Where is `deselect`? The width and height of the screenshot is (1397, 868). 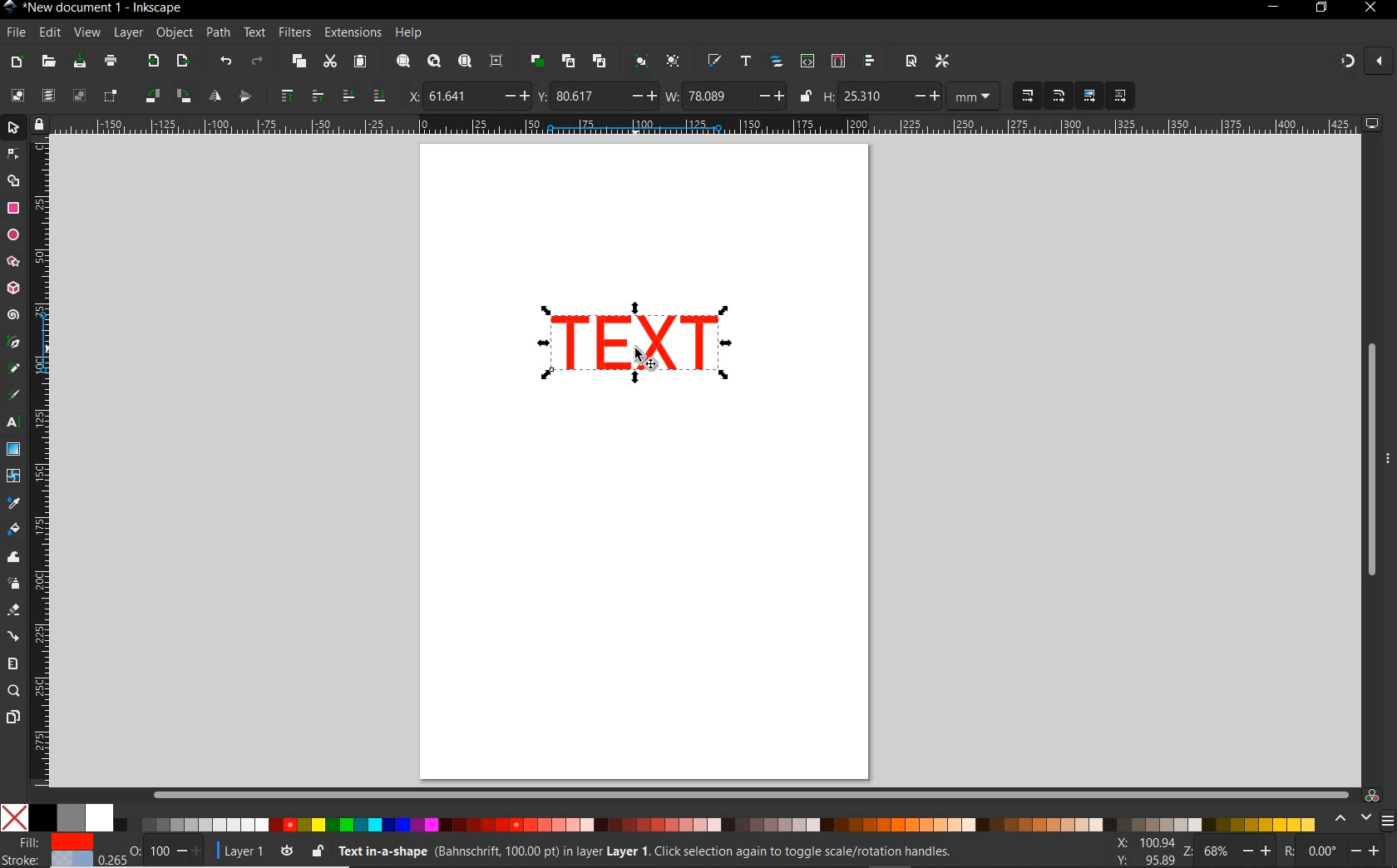
deselect is located at coordinates (77, 96).